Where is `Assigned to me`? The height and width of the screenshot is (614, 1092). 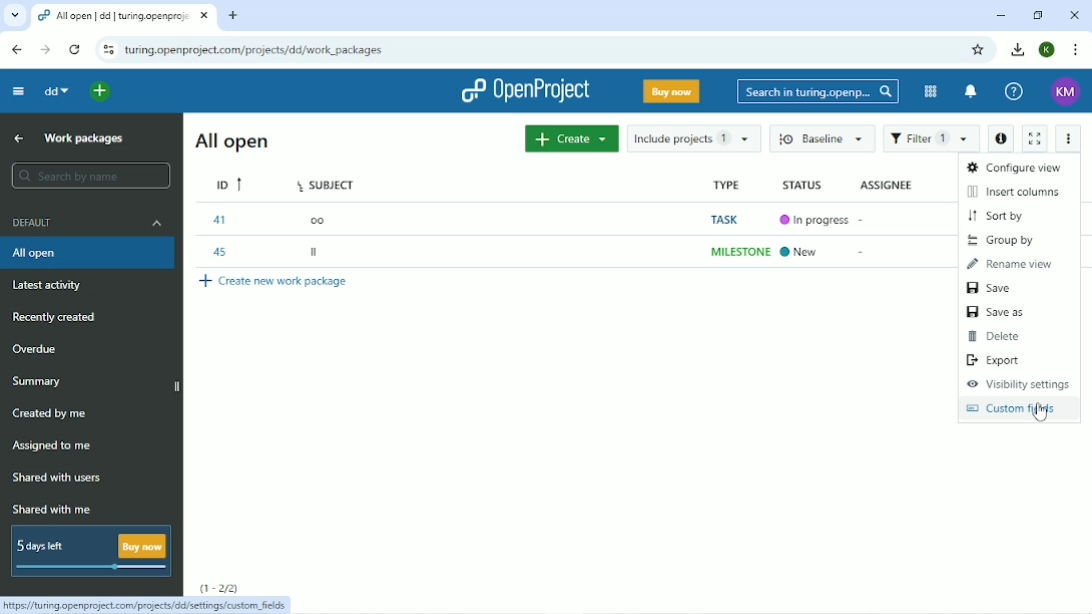 Assigned to me is located at coordinates (56, 446).